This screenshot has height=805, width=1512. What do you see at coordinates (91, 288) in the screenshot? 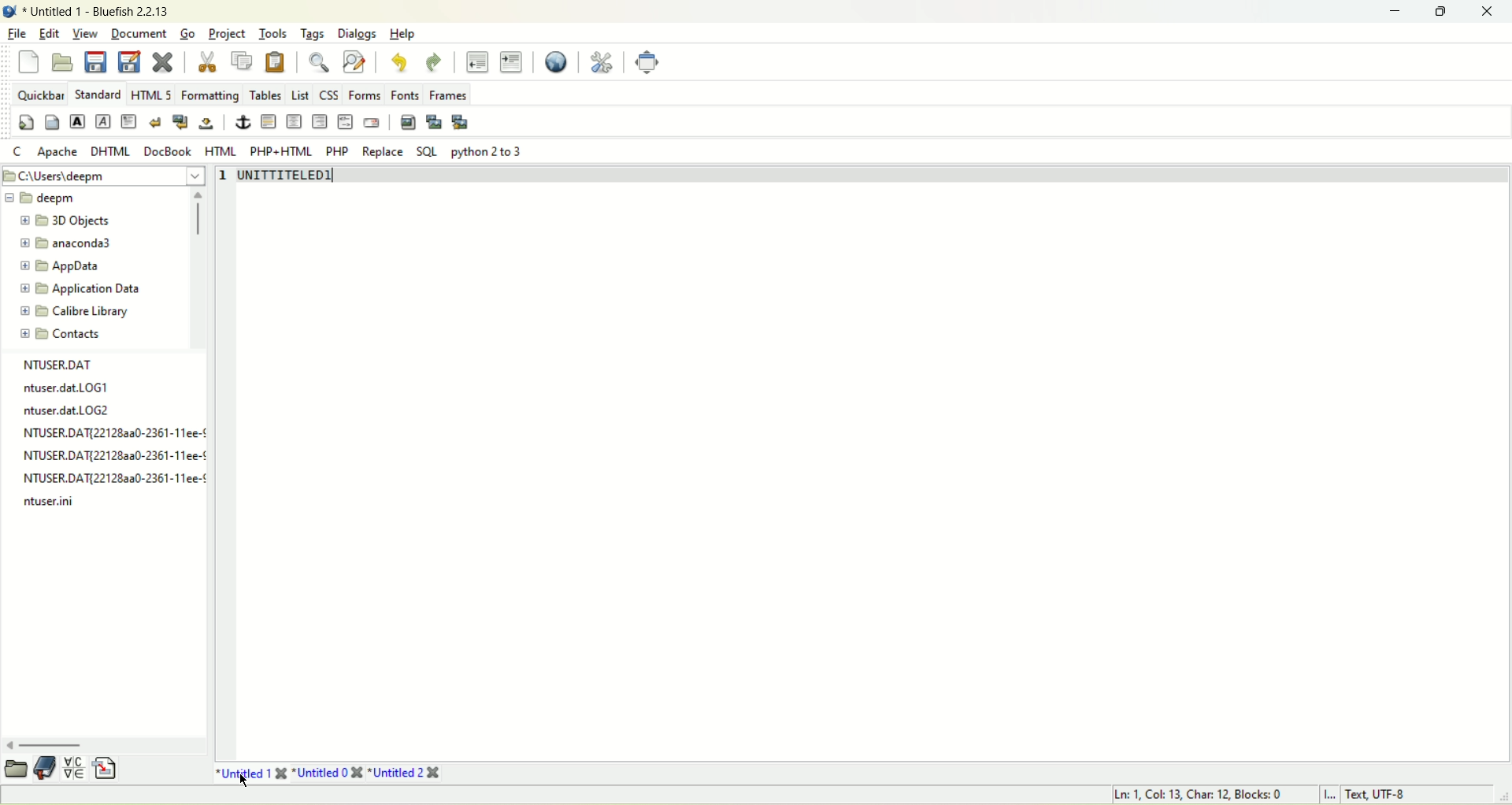
I see `application data` at bounding box center [91, 288].